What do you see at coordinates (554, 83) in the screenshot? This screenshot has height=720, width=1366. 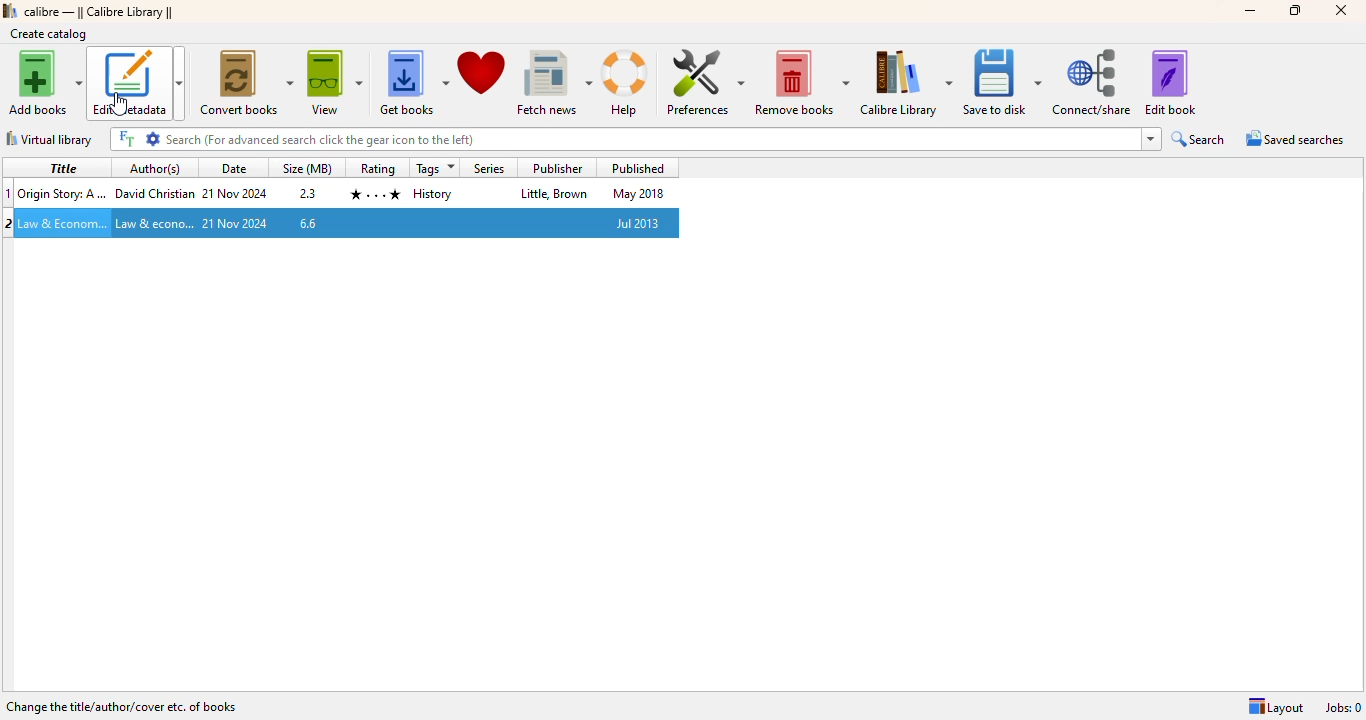 I see `fetch news` at bounding box center [554, 83].